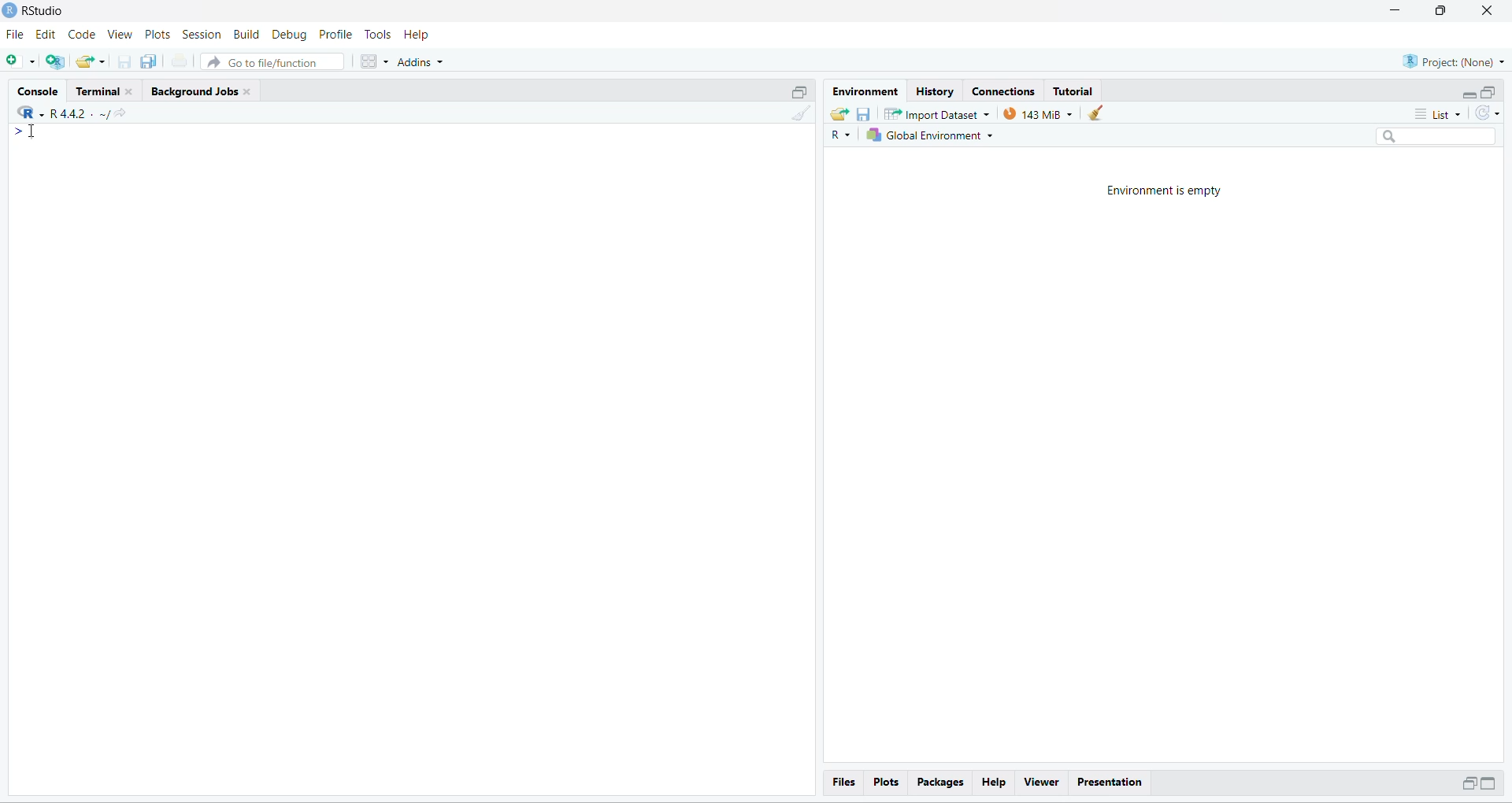 The image size is (1512, 803). I want to click on R, so click(840, 135).